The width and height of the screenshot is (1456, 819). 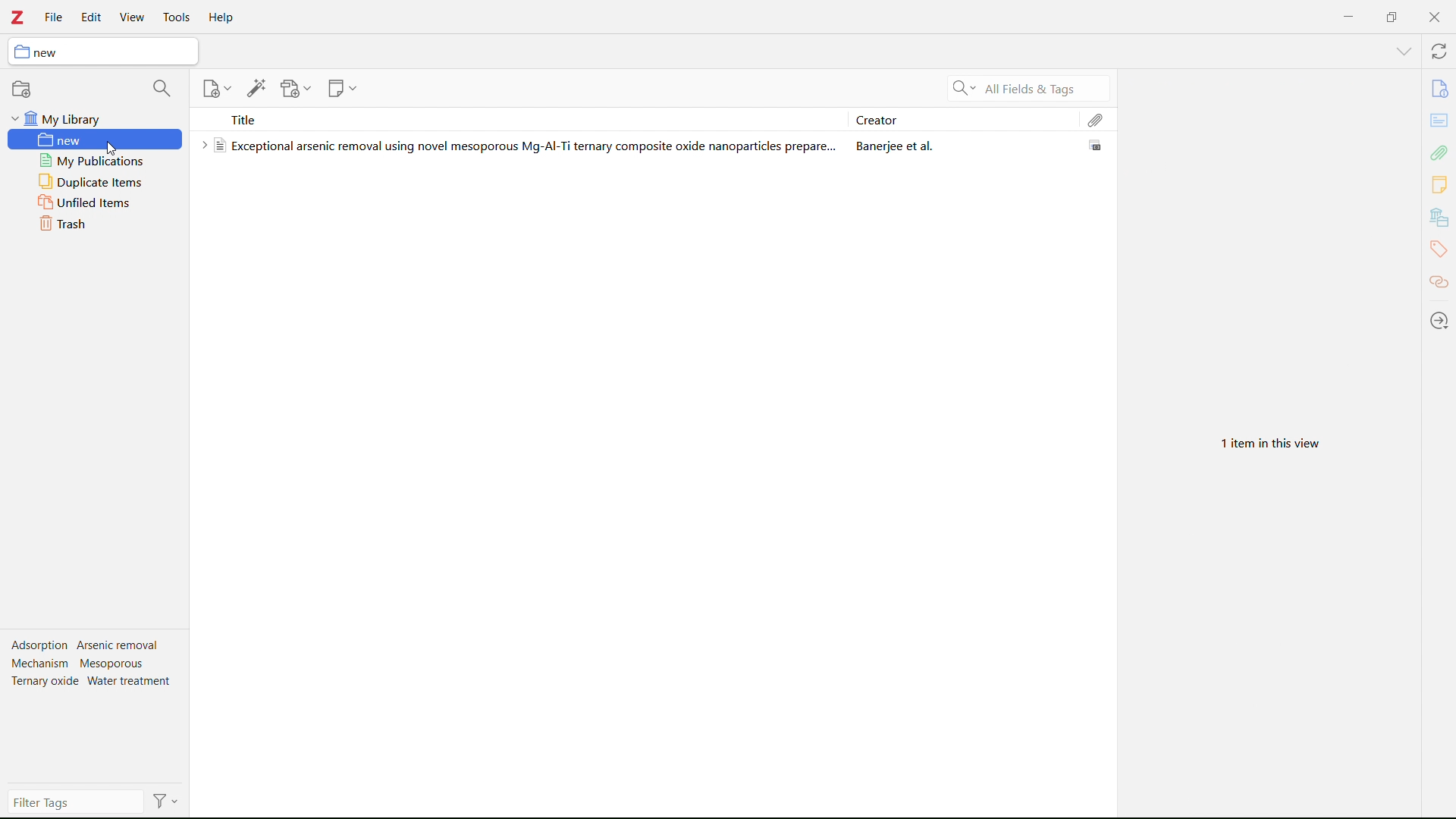 What do you see at coordinates (216, 87) in the screenshot?
I see `add iten` at bounding box center [216, 87].